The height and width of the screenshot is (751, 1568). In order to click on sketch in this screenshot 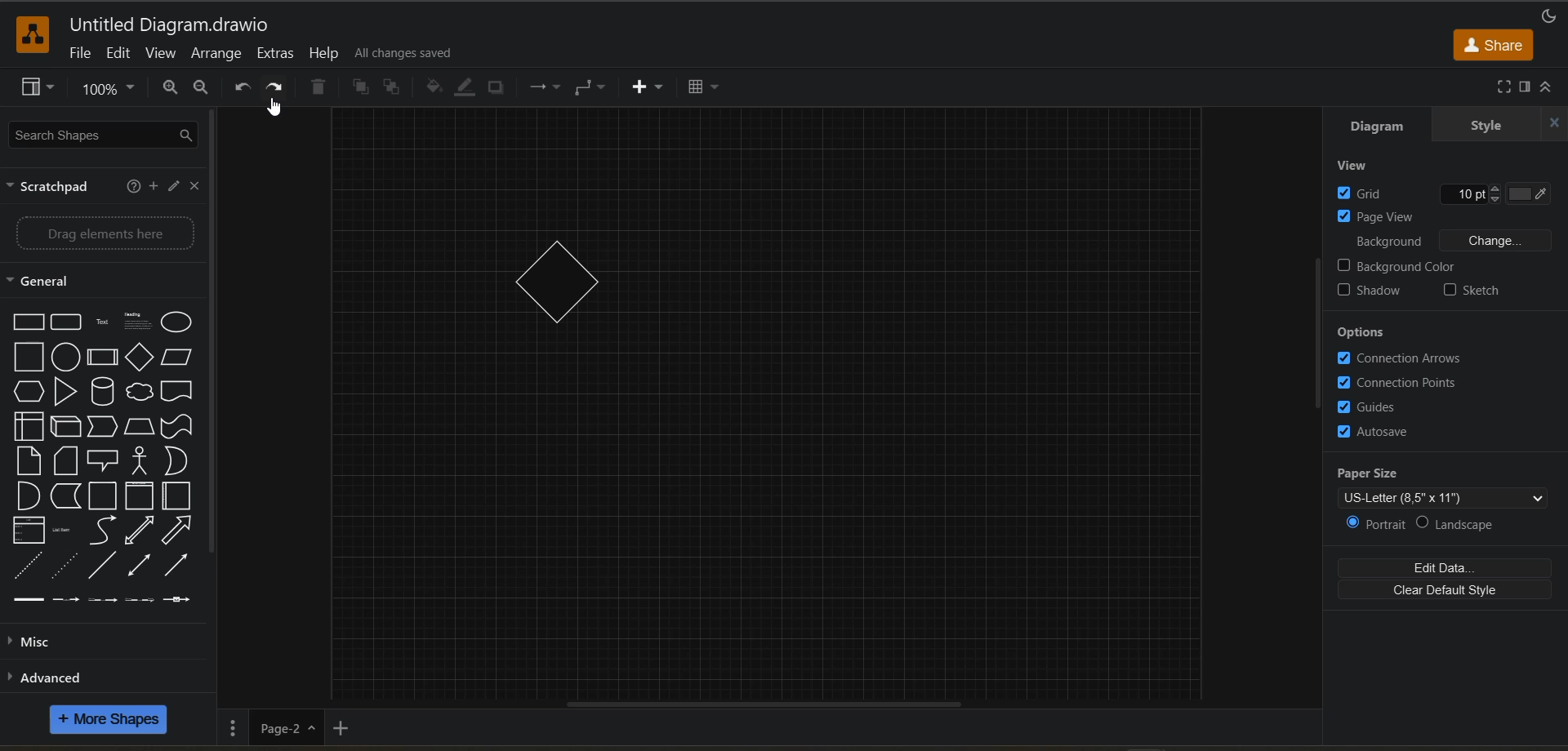, I will do `click(1470, 290)`.